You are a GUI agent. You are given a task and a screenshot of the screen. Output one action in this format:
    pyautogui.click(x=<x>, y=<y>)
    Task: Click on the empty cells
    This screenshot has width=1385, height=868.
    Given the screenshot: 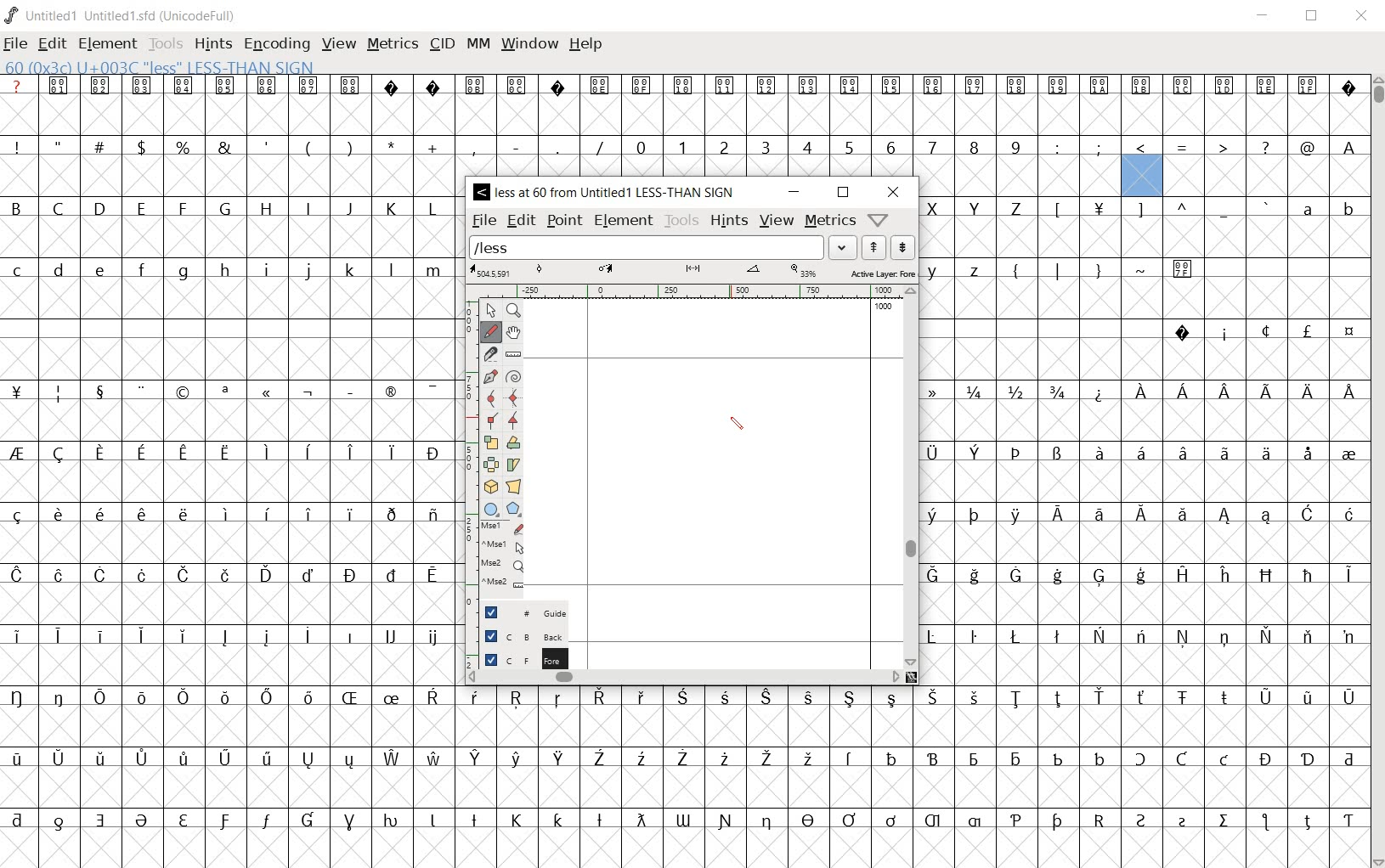 What is the action you would take?
    pyautogui.click(x=228, y=604)
    